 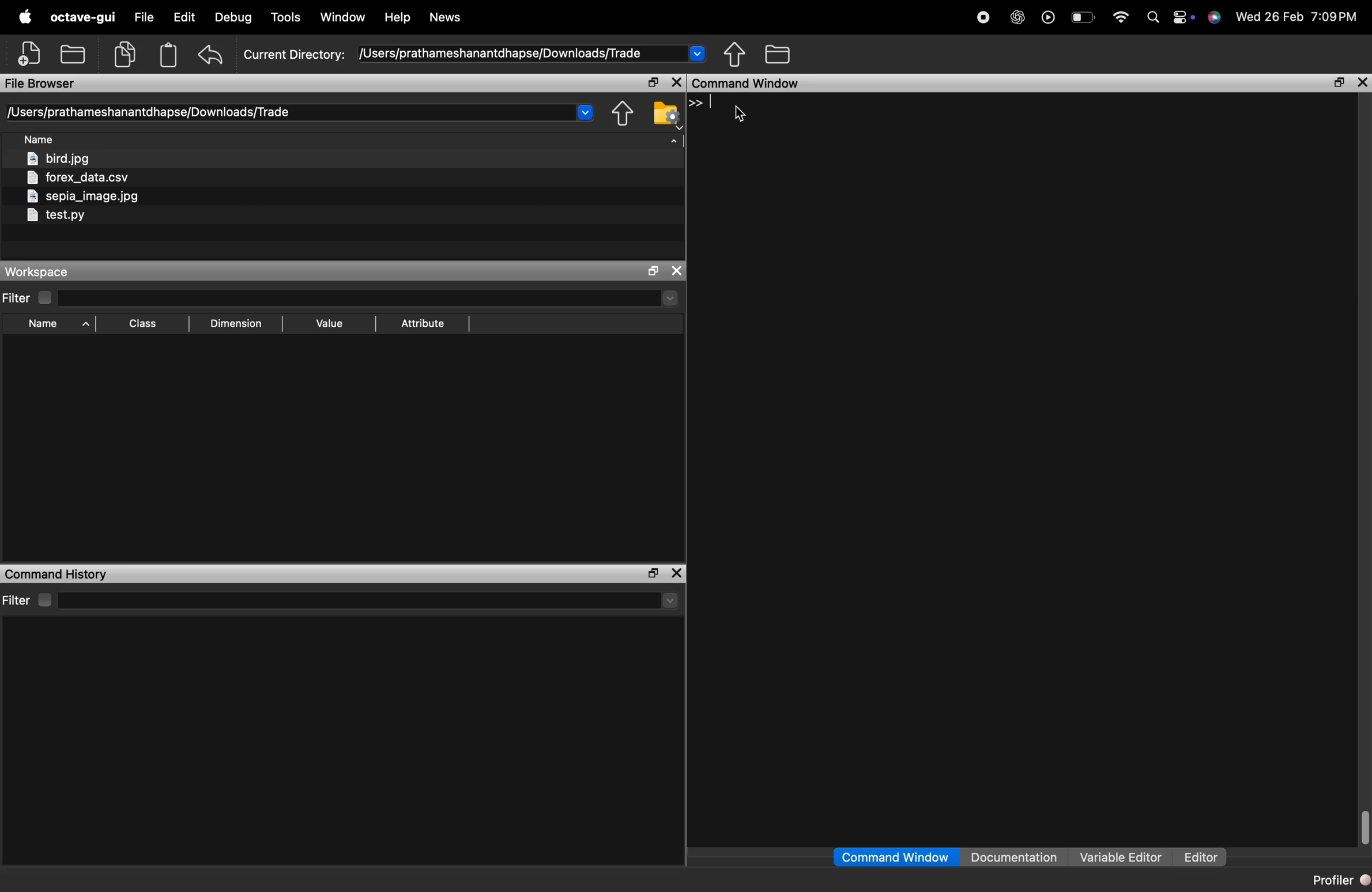 I want to click on open an existing file in editor, so click(x=73, y=54).